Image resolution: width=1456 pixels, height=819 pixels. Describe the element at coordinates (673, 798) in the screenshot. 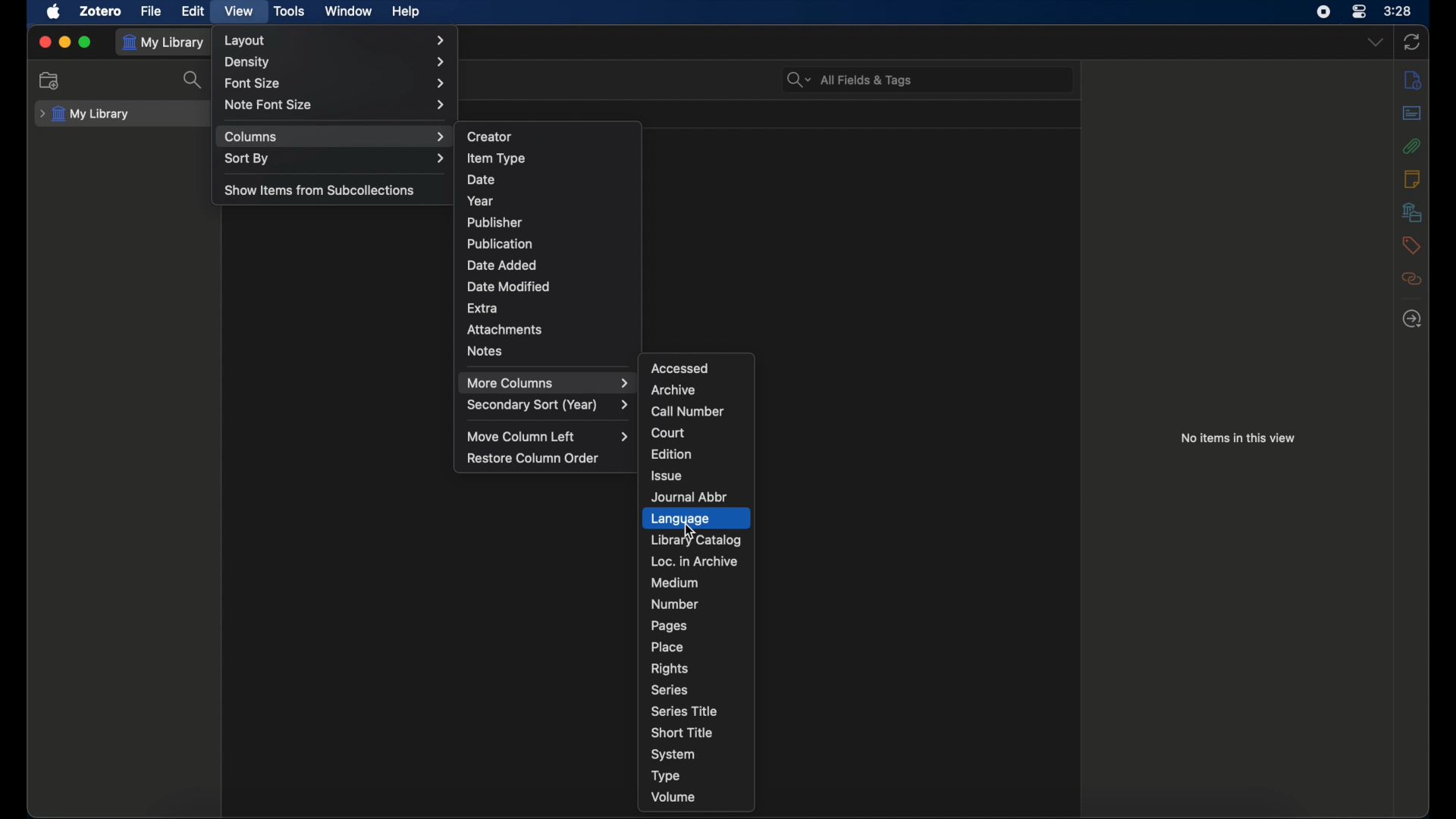

I see `volume` at that location.